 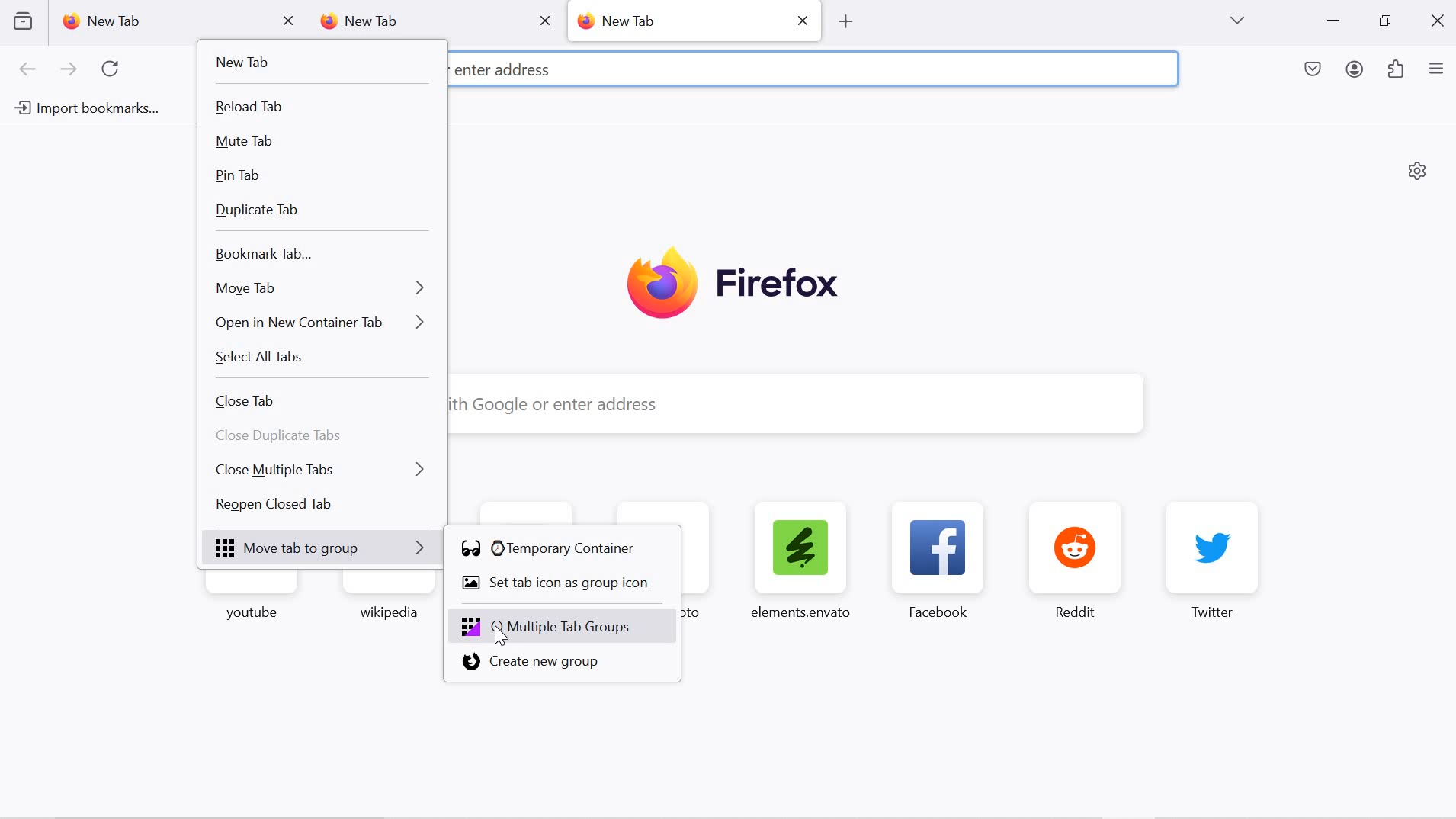 I want to click on elements.envanto favorite, so click(x=799, y=559).